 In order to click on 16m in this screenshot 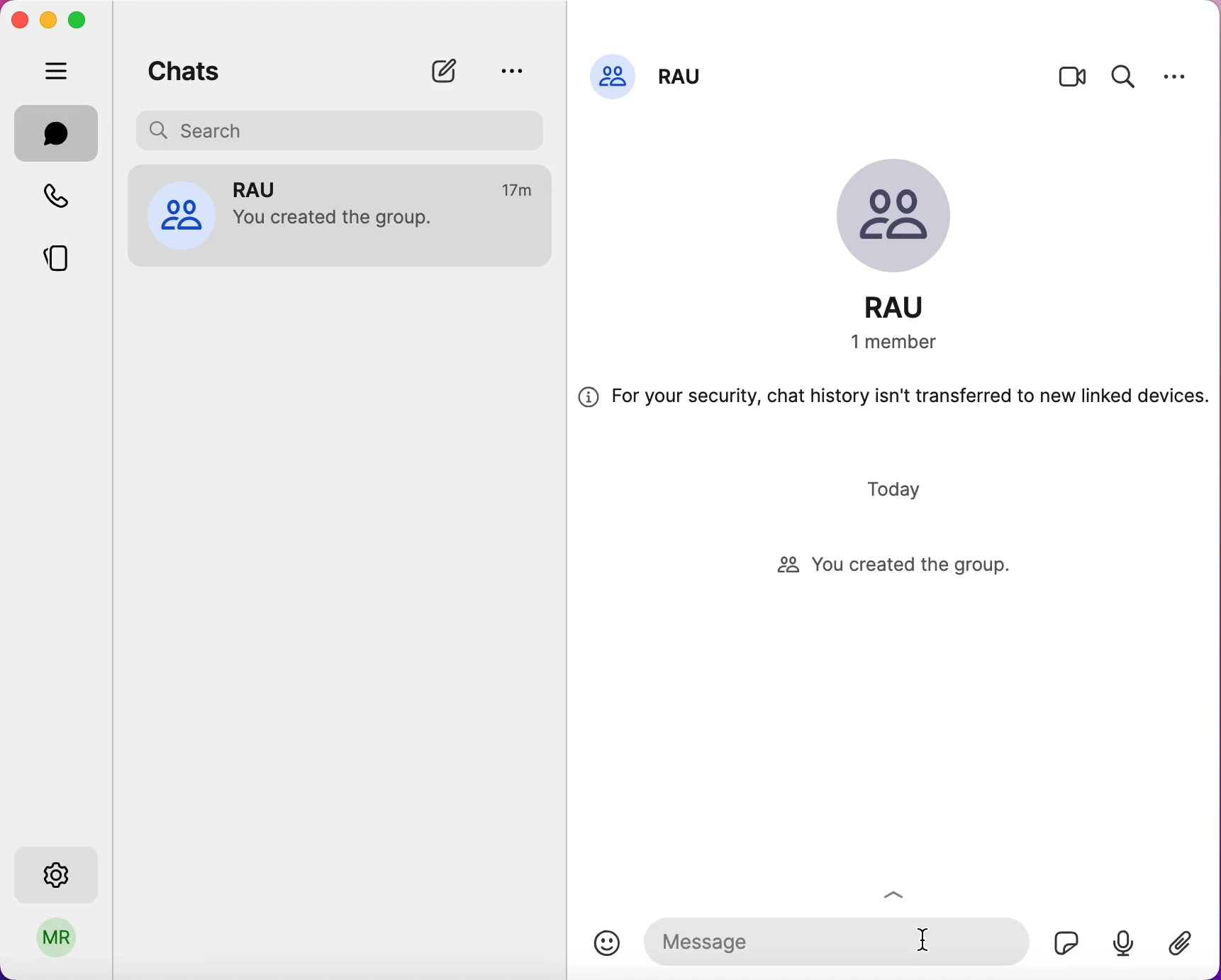, I will do `click(519, 191)`.